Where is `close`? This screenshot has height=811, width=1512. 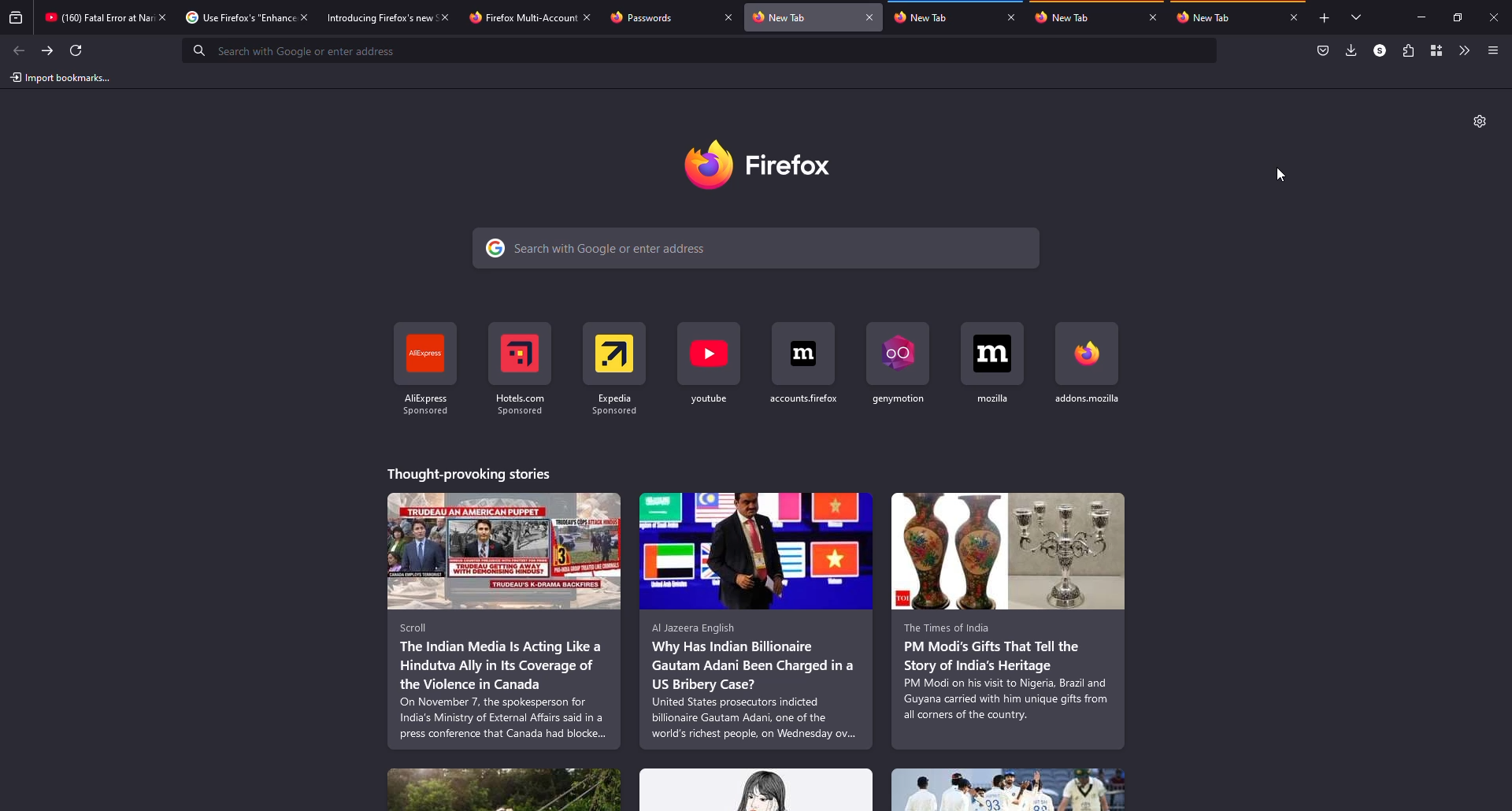 close is located at coordinates (445, 15).